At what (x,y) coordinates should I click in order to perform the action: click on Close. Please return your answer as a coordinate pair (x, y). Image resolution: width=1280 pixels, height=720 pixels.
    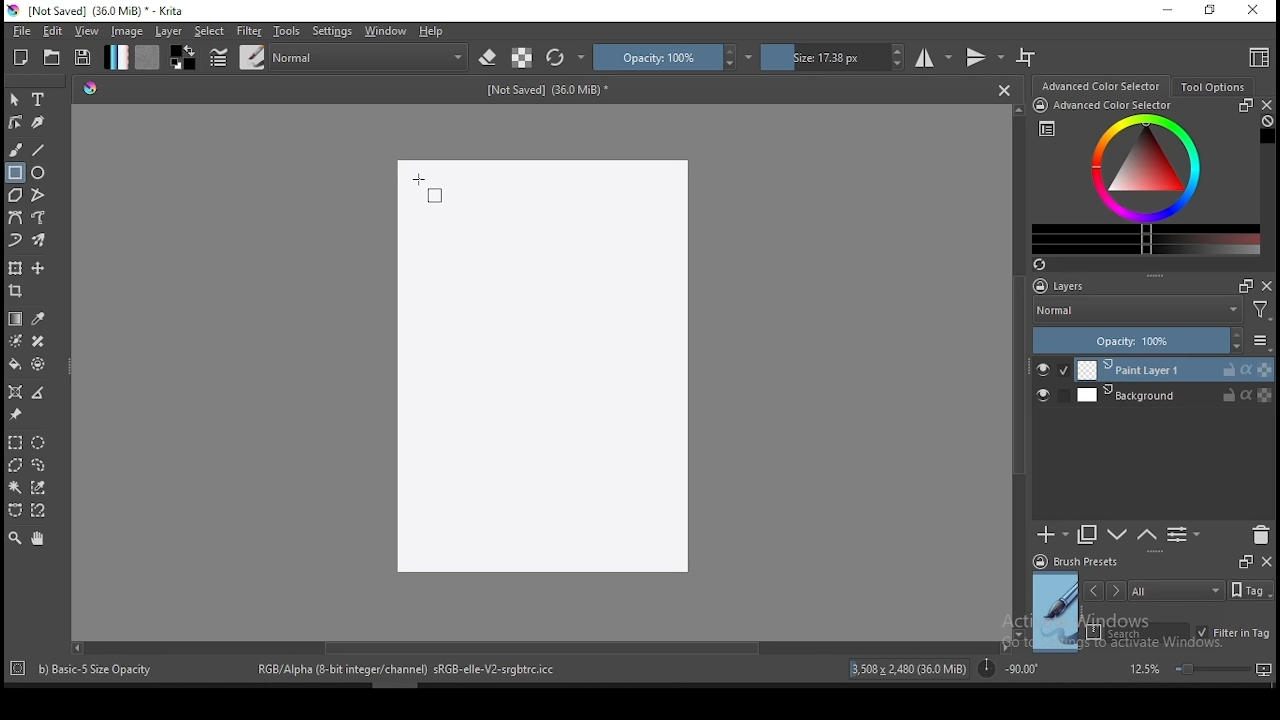
    Looking at the image, I should click on (1004, 89).